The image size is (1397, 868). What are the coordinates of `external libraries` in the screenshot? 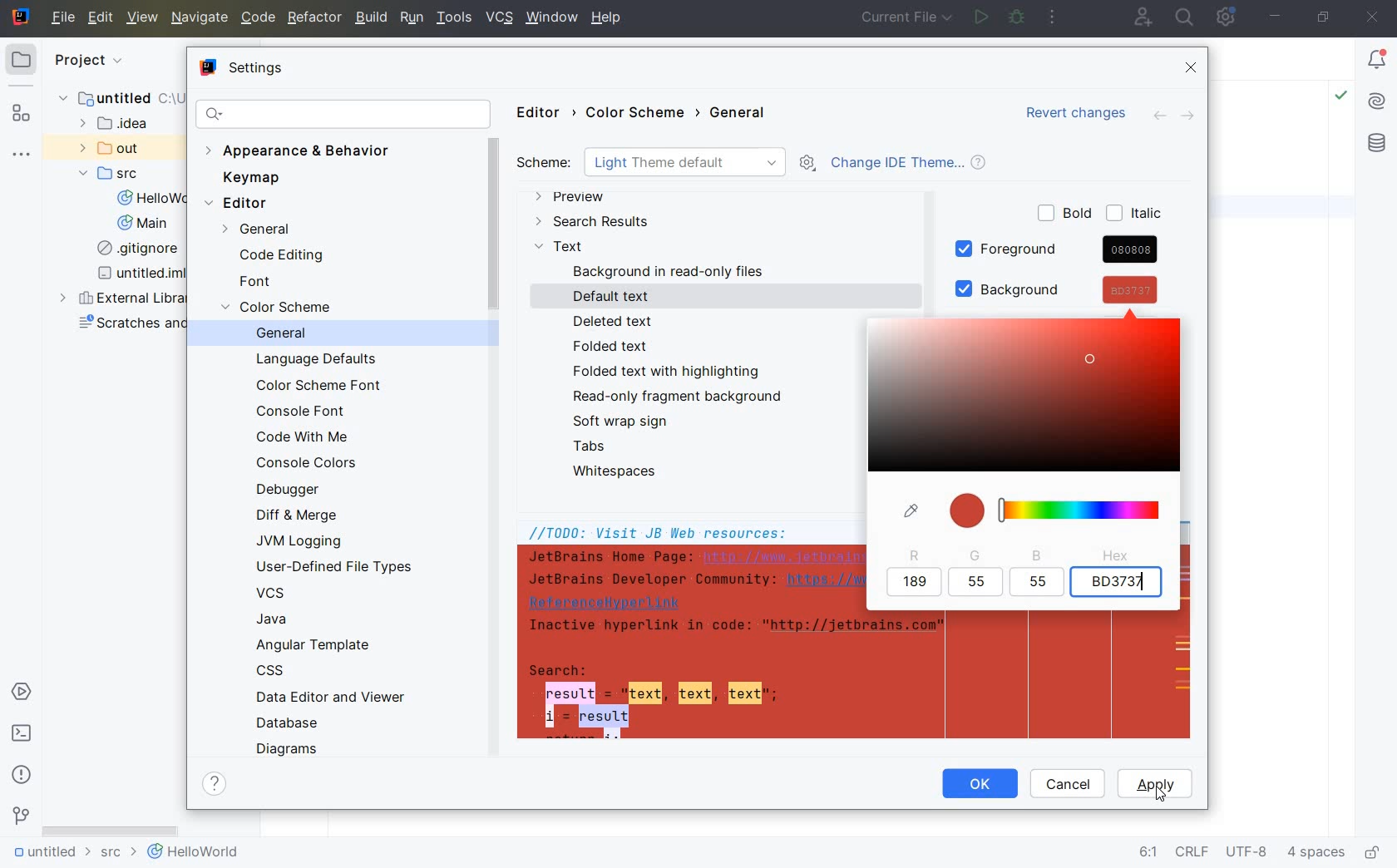 It's located at (126, 298).